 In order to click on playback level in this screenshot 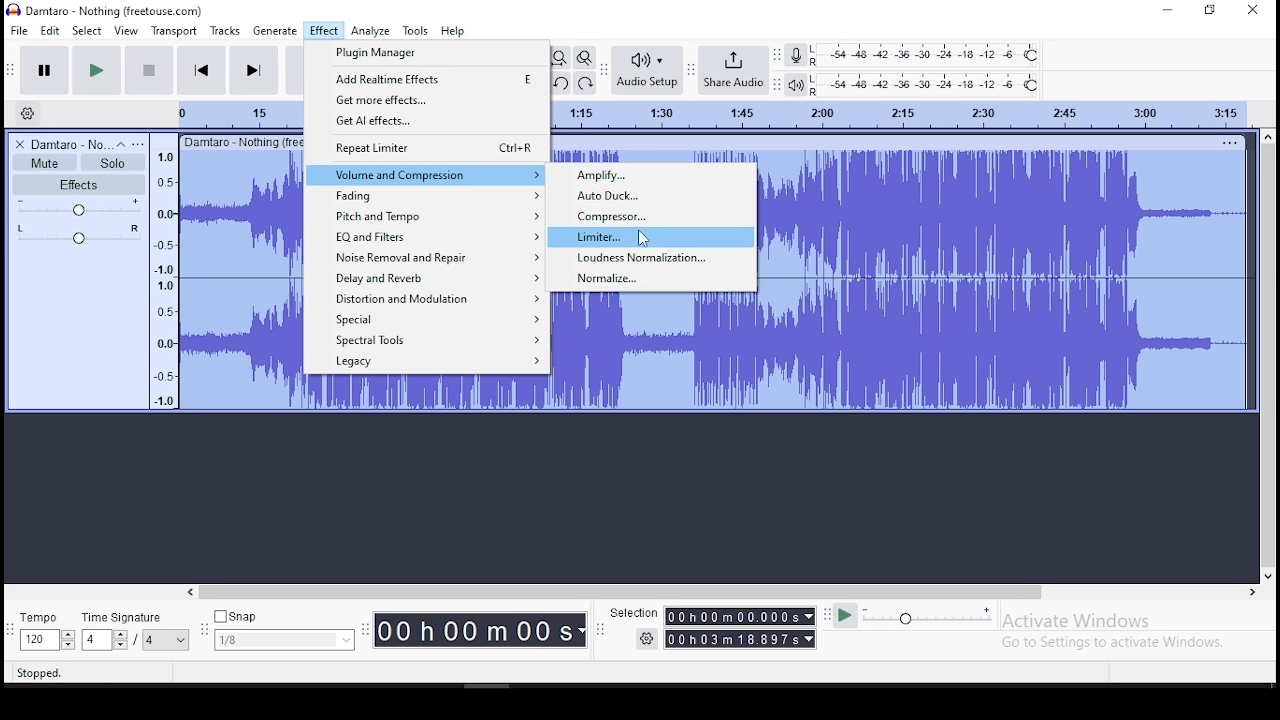, I will do `click(927, 84)`.